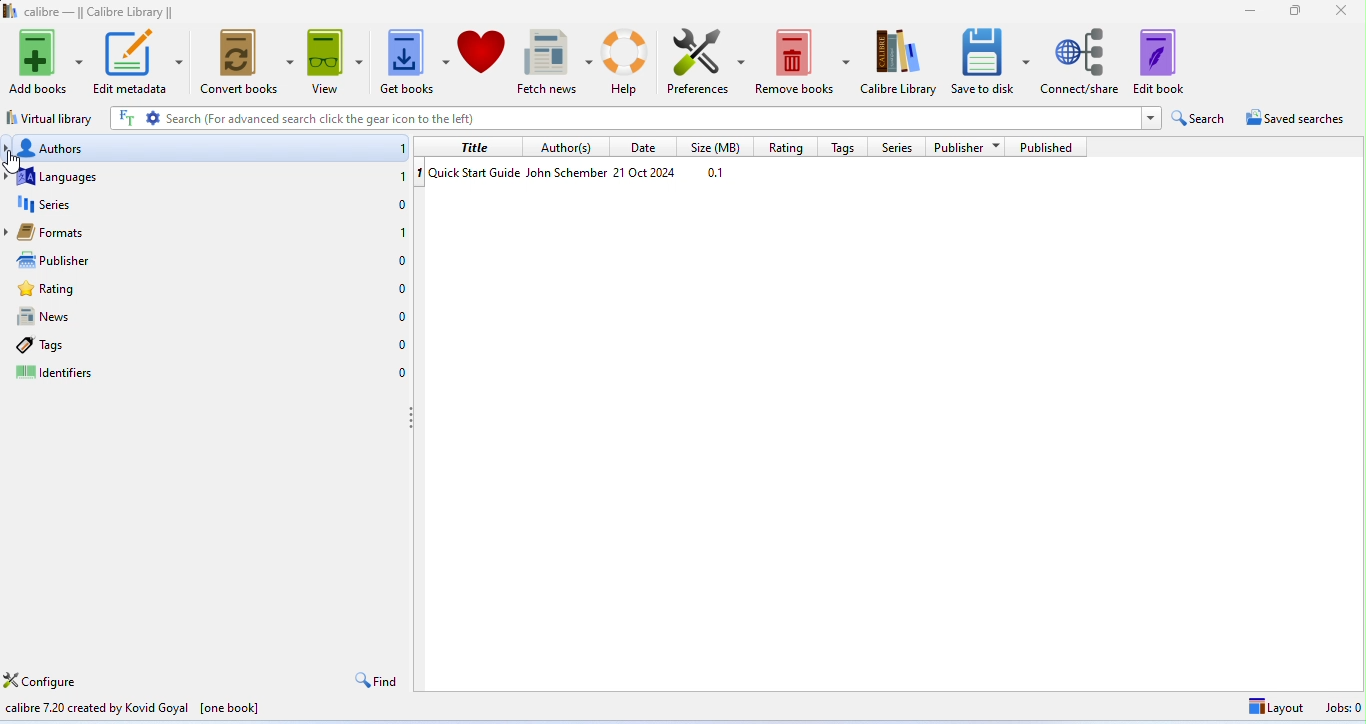 The width and height of the screenshot is (1366, 724). What do you see at coordinates (209, 345) in the screenshot?
I see `tags` at bounding box center [209, 345].